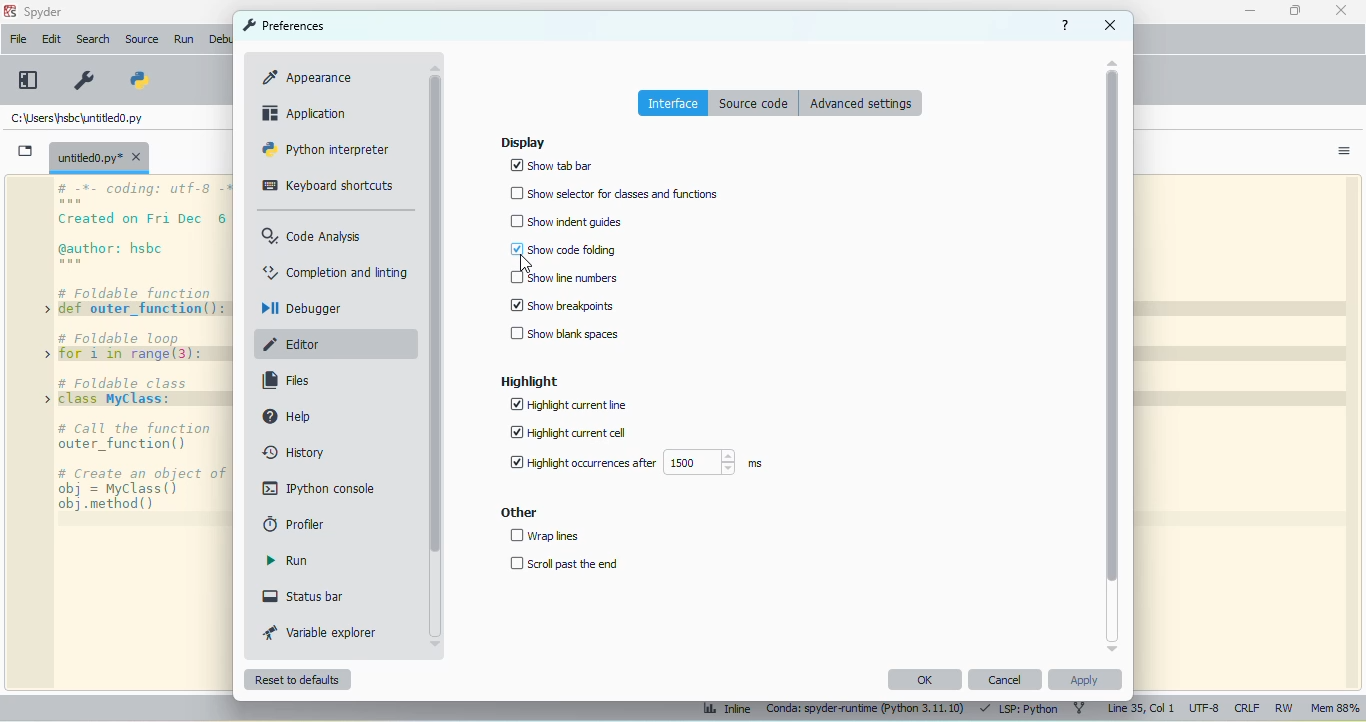 This screenshot has width=1366, height=722. Describe the element at coordinates (1084, 679) in the screenshot. I see `apply` at that location.